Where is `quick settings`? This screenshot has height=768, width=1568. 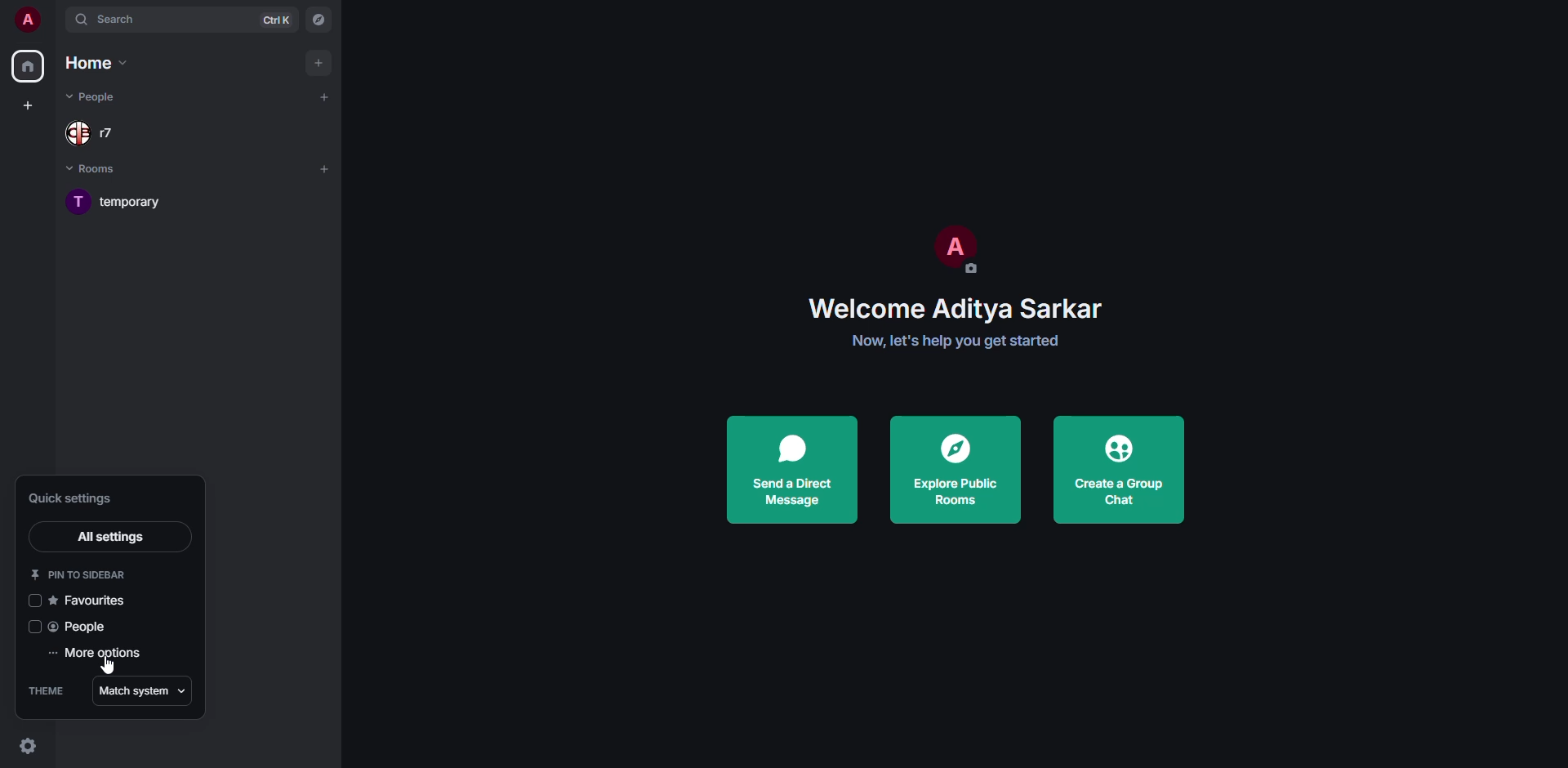
quick settings is located at coordinates (80, 498).